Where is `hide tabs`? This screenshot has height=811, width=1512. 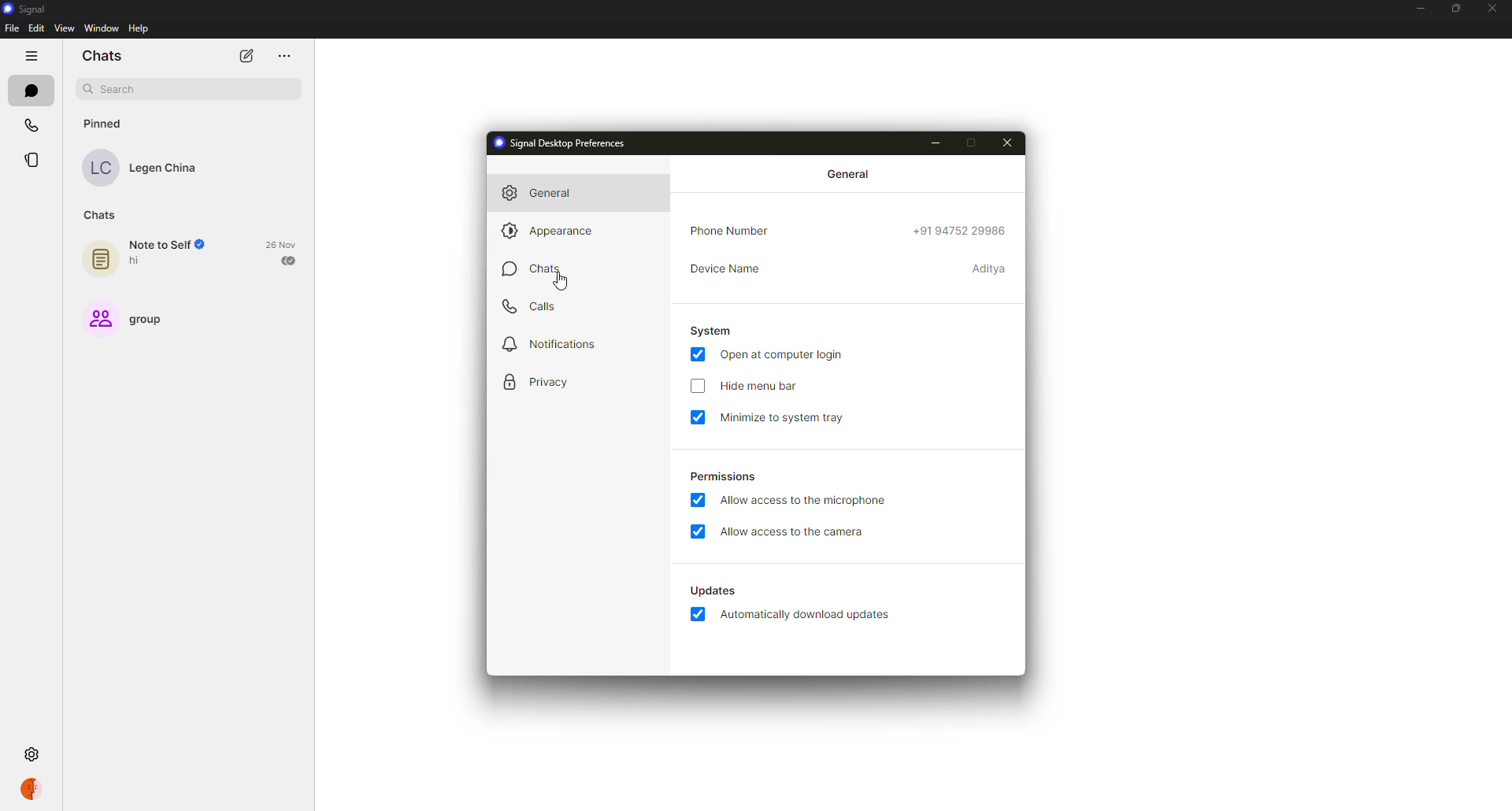 hide tabs is located at coordinates (31, 57).